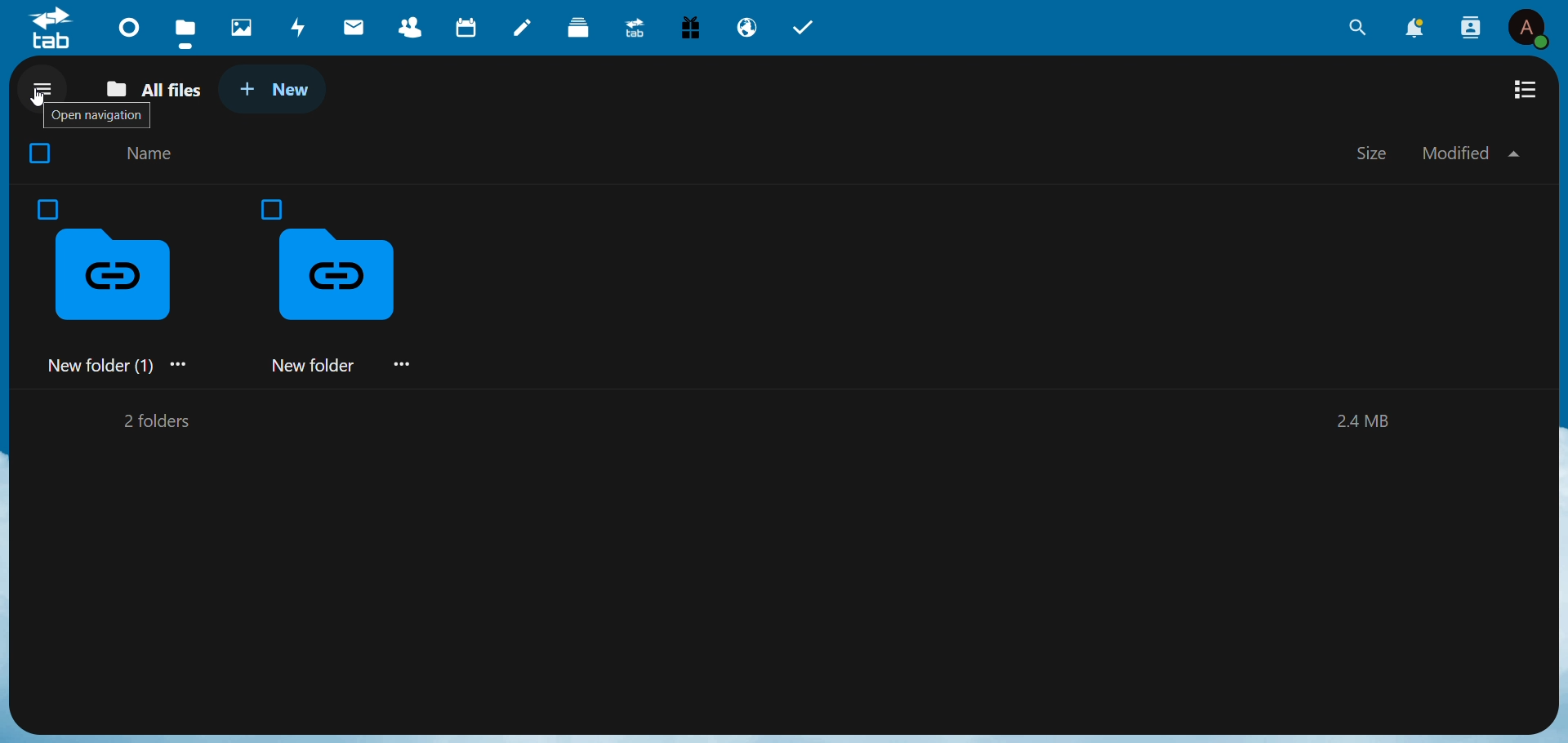  What do you see at coordinates (243, 28) in the screenshot?
I see `hindi` at bounding box center [243, 28].